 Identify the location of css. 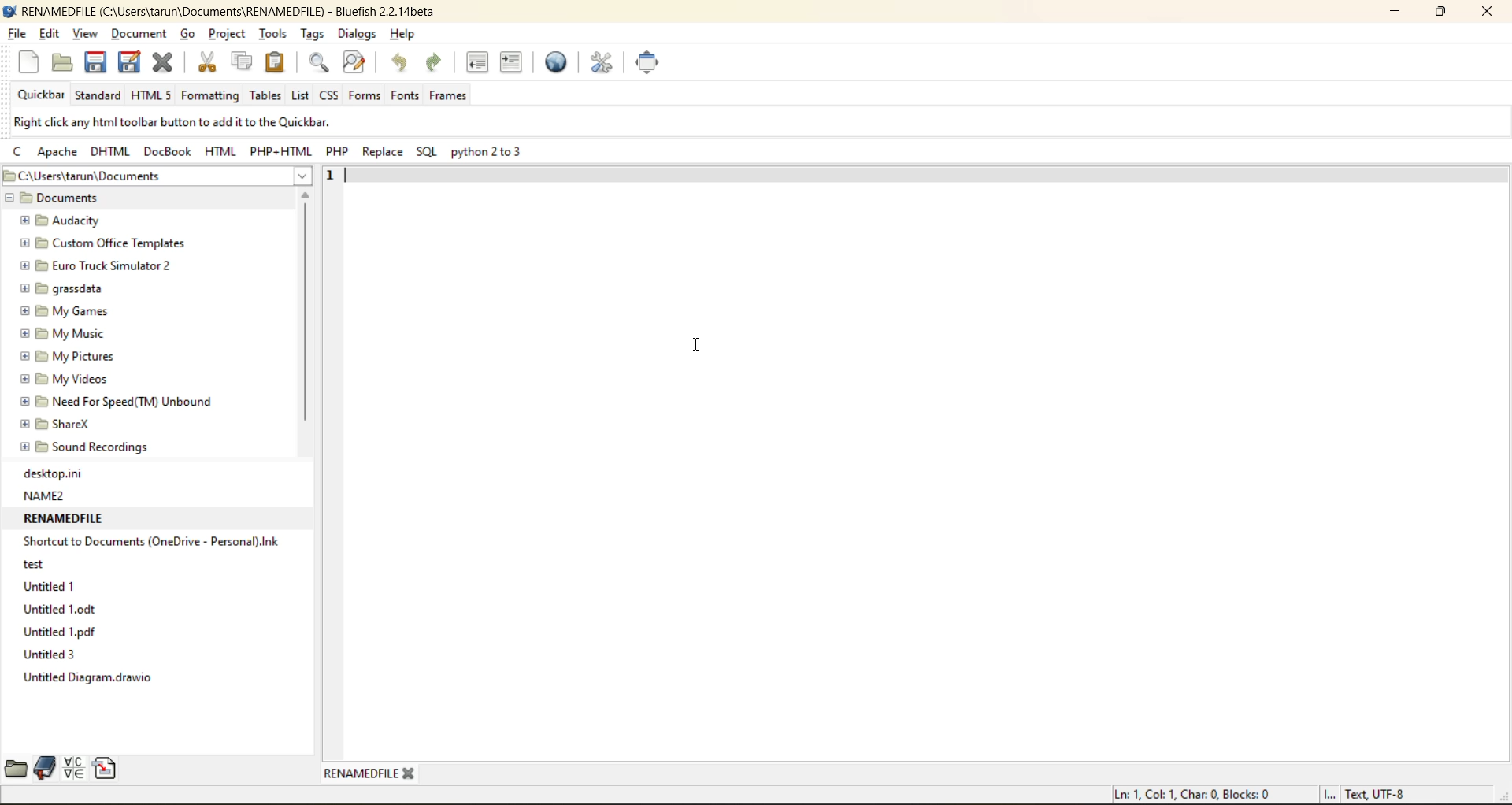
(330, 95).